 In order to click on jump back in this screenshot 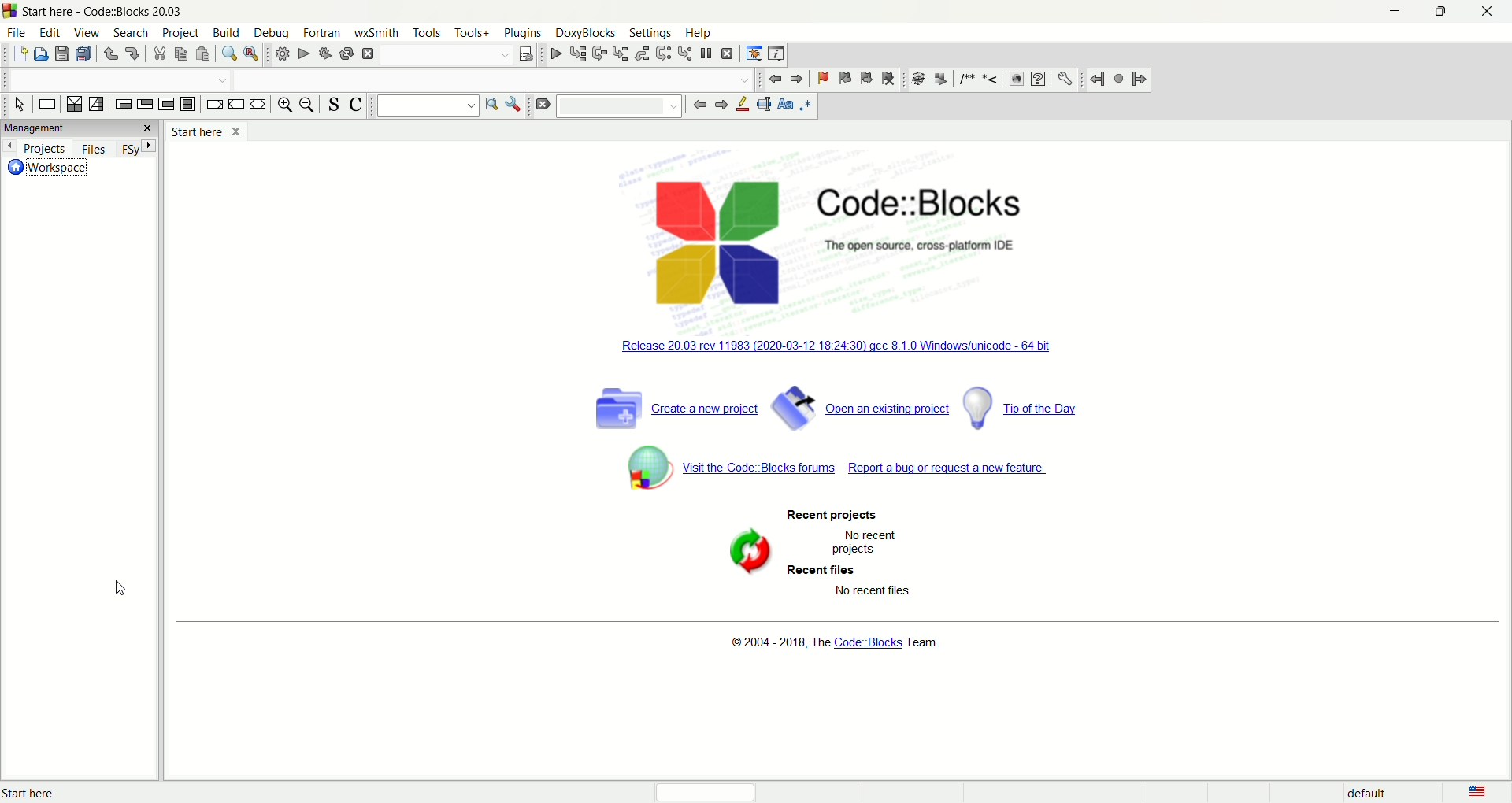, I will do `click(1097, 80)`.